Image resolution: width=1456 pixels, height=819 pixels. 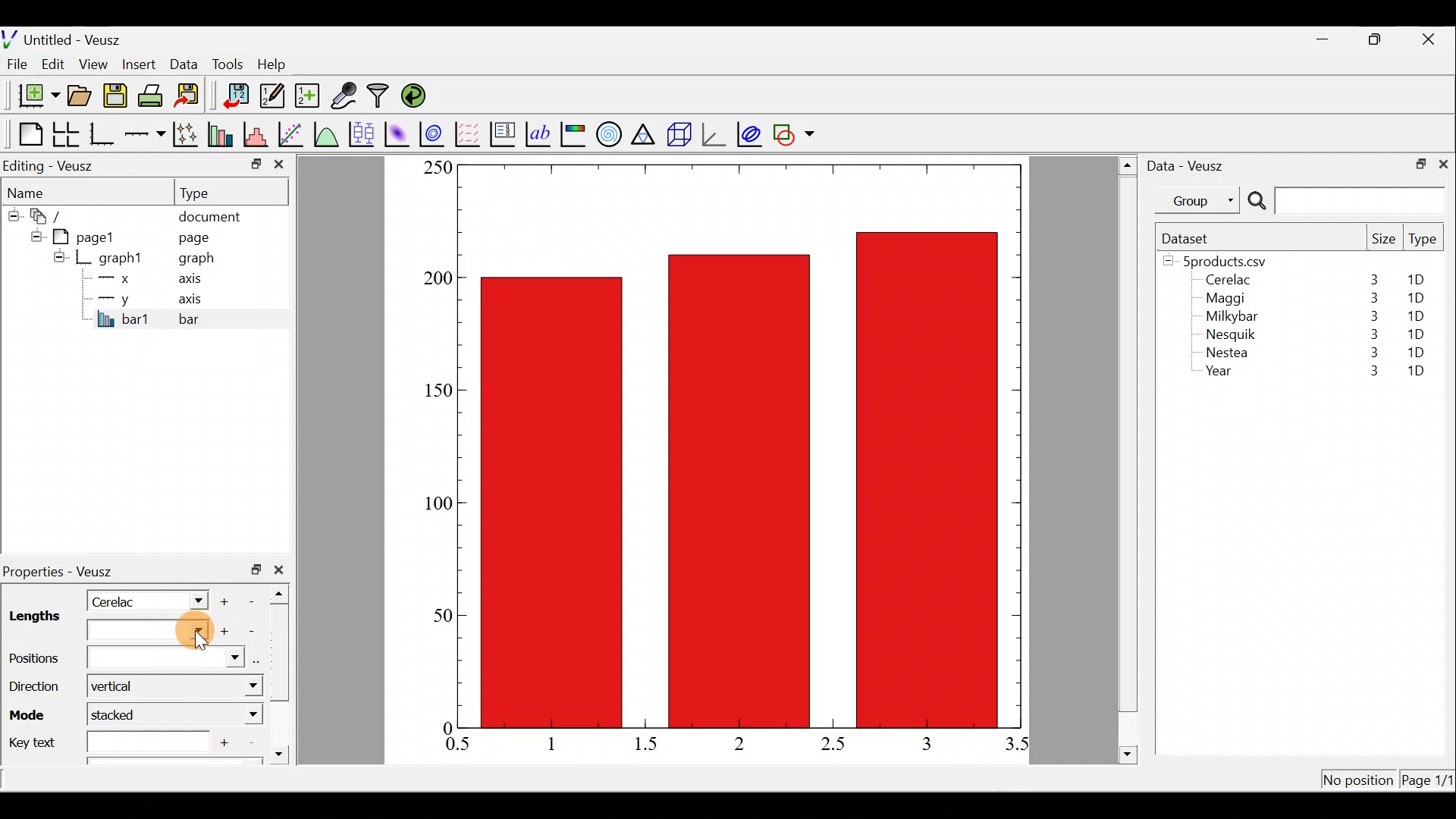 What do you see at coordinates (441, 614) in the screenshot?
I see `50` at bounding box center [441, 614].